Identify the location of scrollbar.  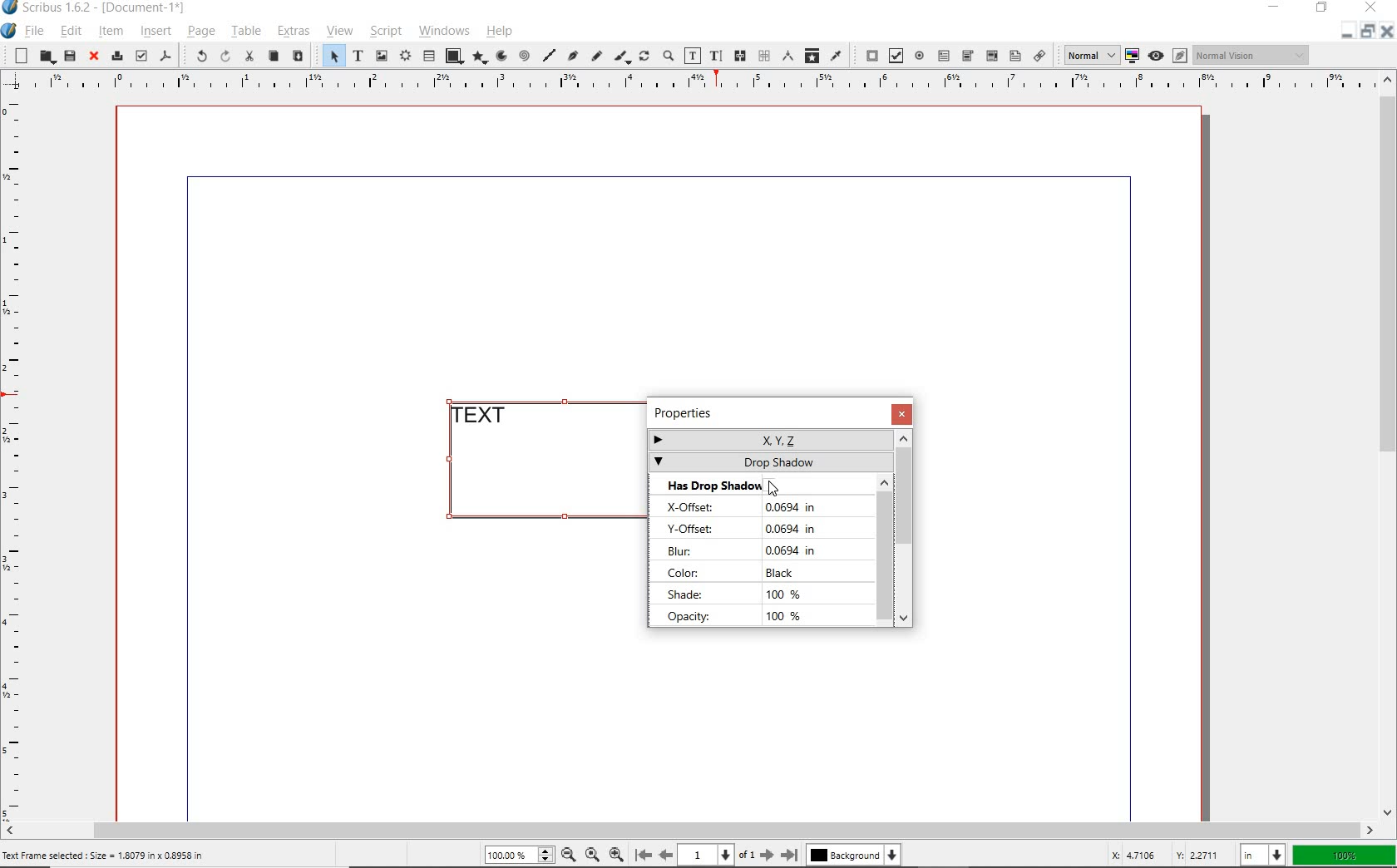
(690, 830).